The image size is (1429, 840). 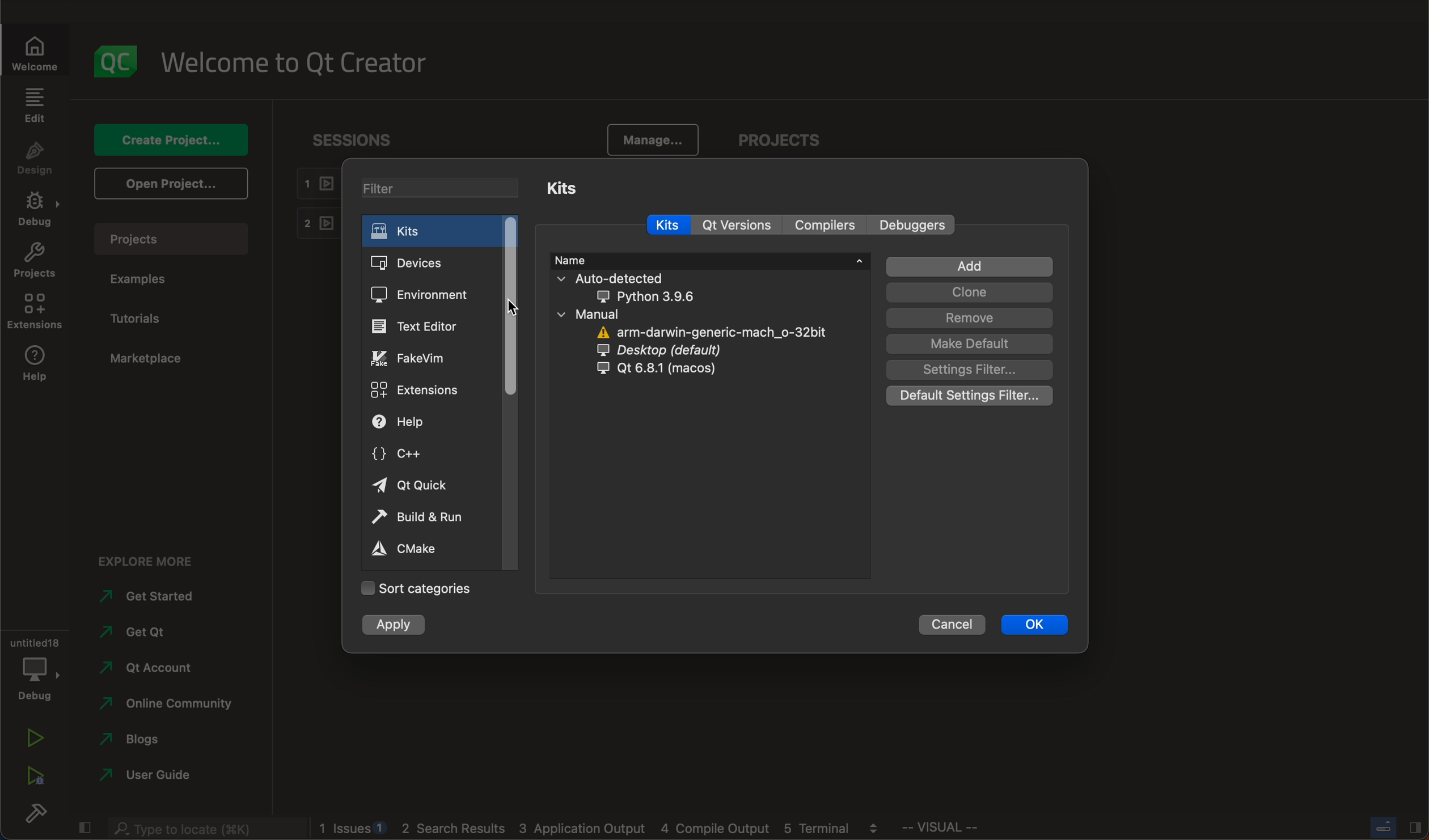 I want to click on categories, so click(x=414, y=587).